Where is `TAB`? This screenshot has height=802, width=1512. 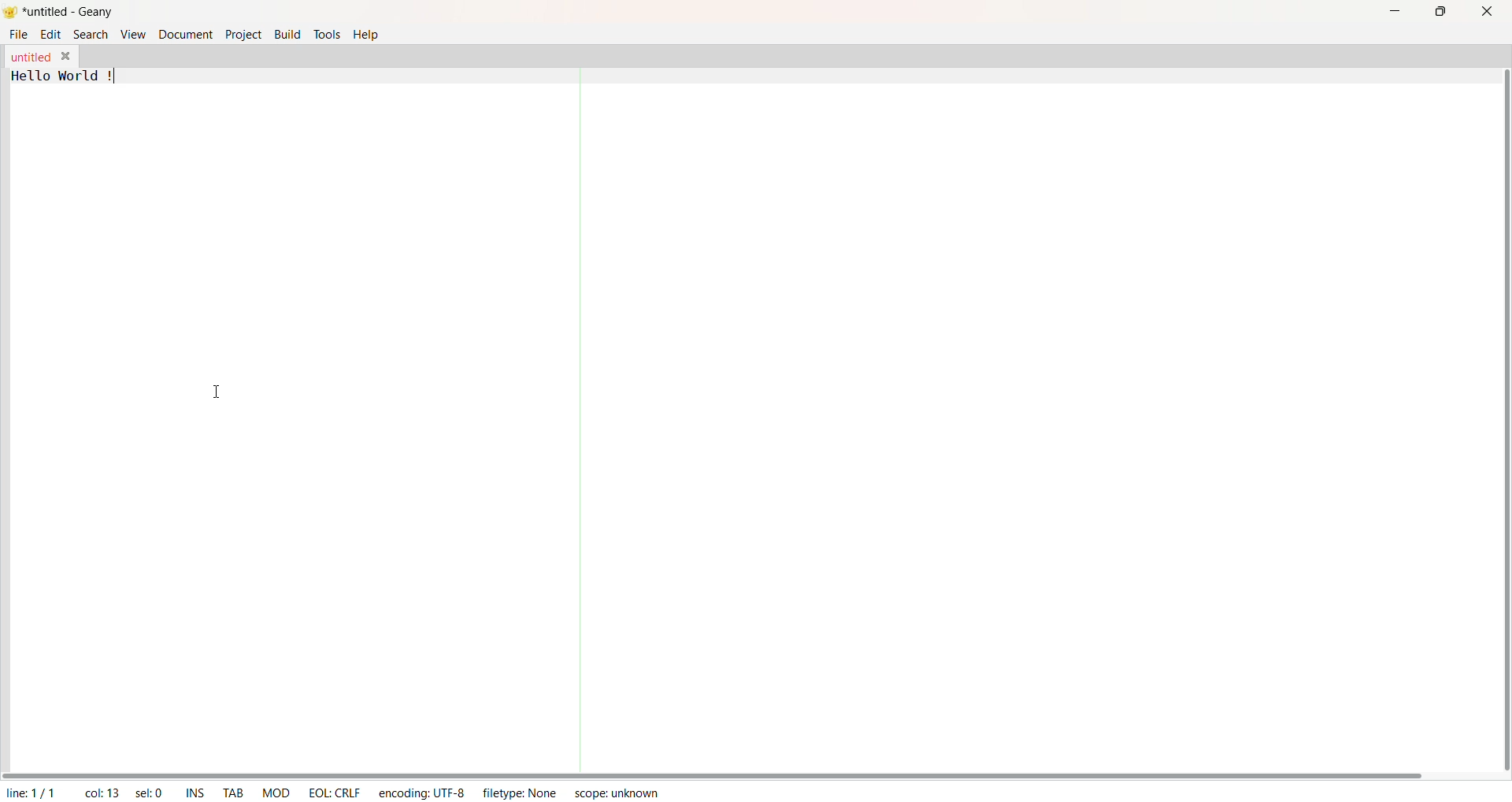
TAB is located at coordinates (231, 789).